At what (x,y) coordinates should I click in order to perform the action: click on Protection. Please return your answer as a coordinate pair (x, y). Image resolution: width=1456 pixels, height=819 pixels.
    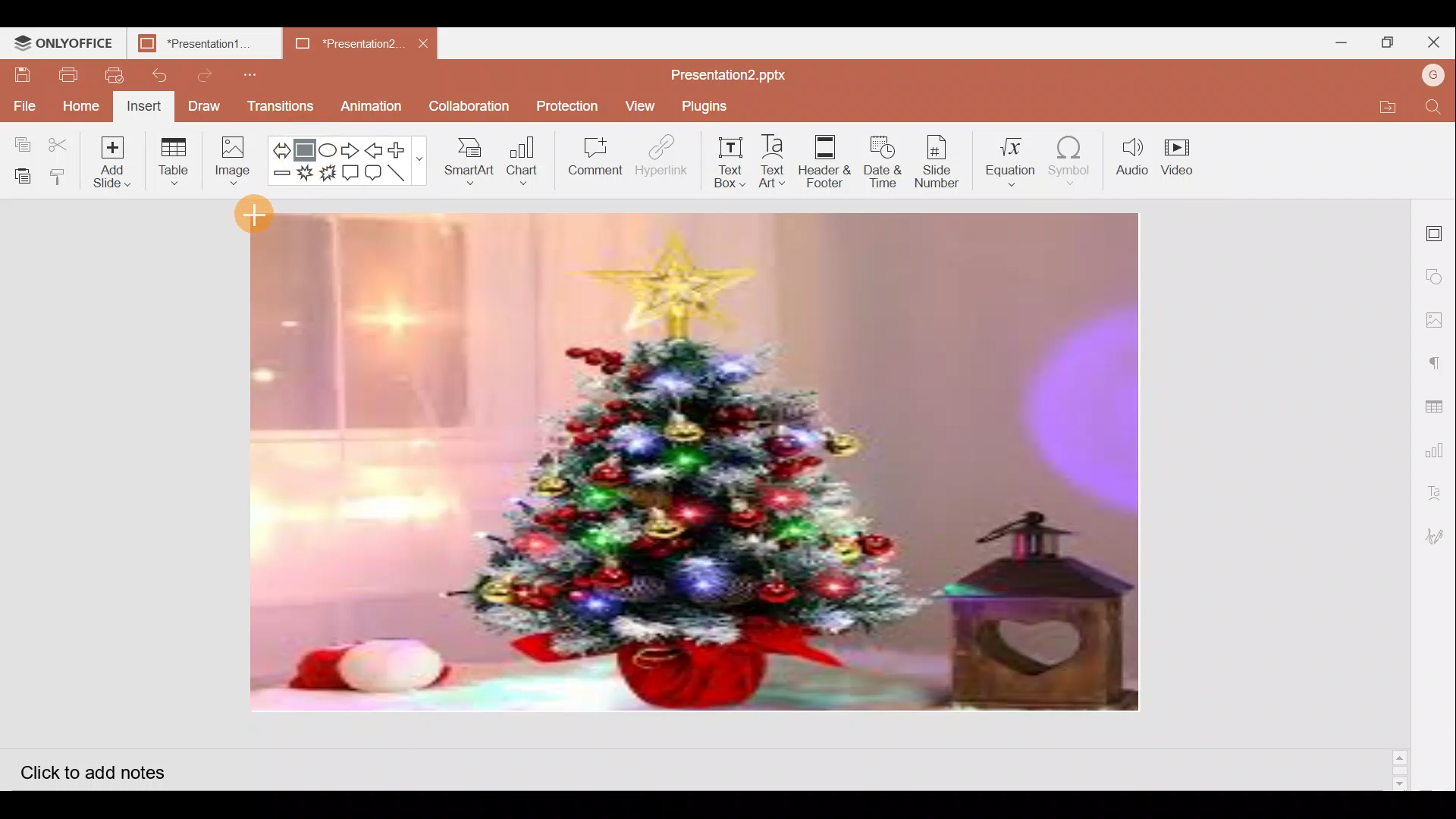
    Looking at the image, I should click on (563, 105).